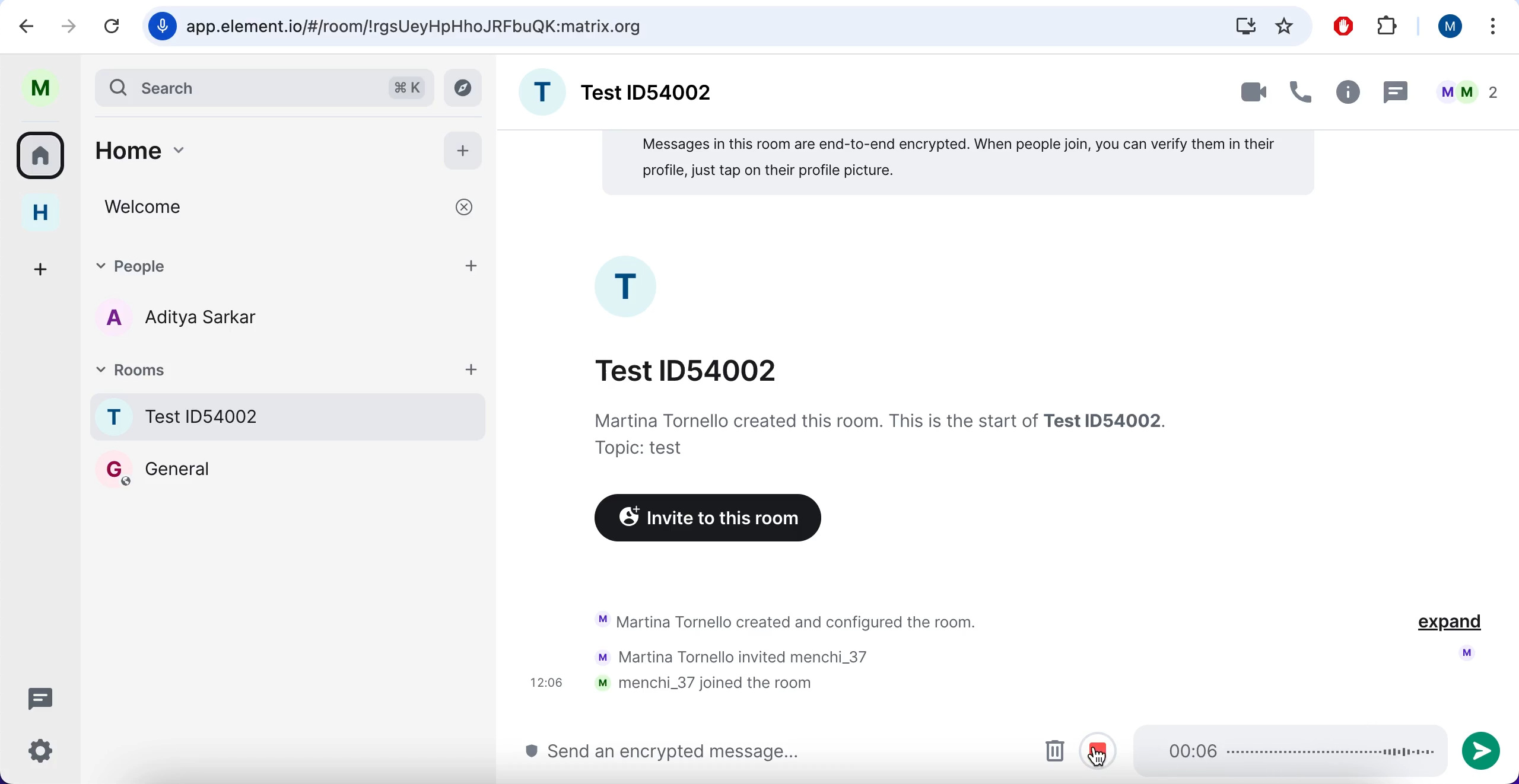 This screenshot has height=784, width=1519. I want to click on add, so click(465, 151).